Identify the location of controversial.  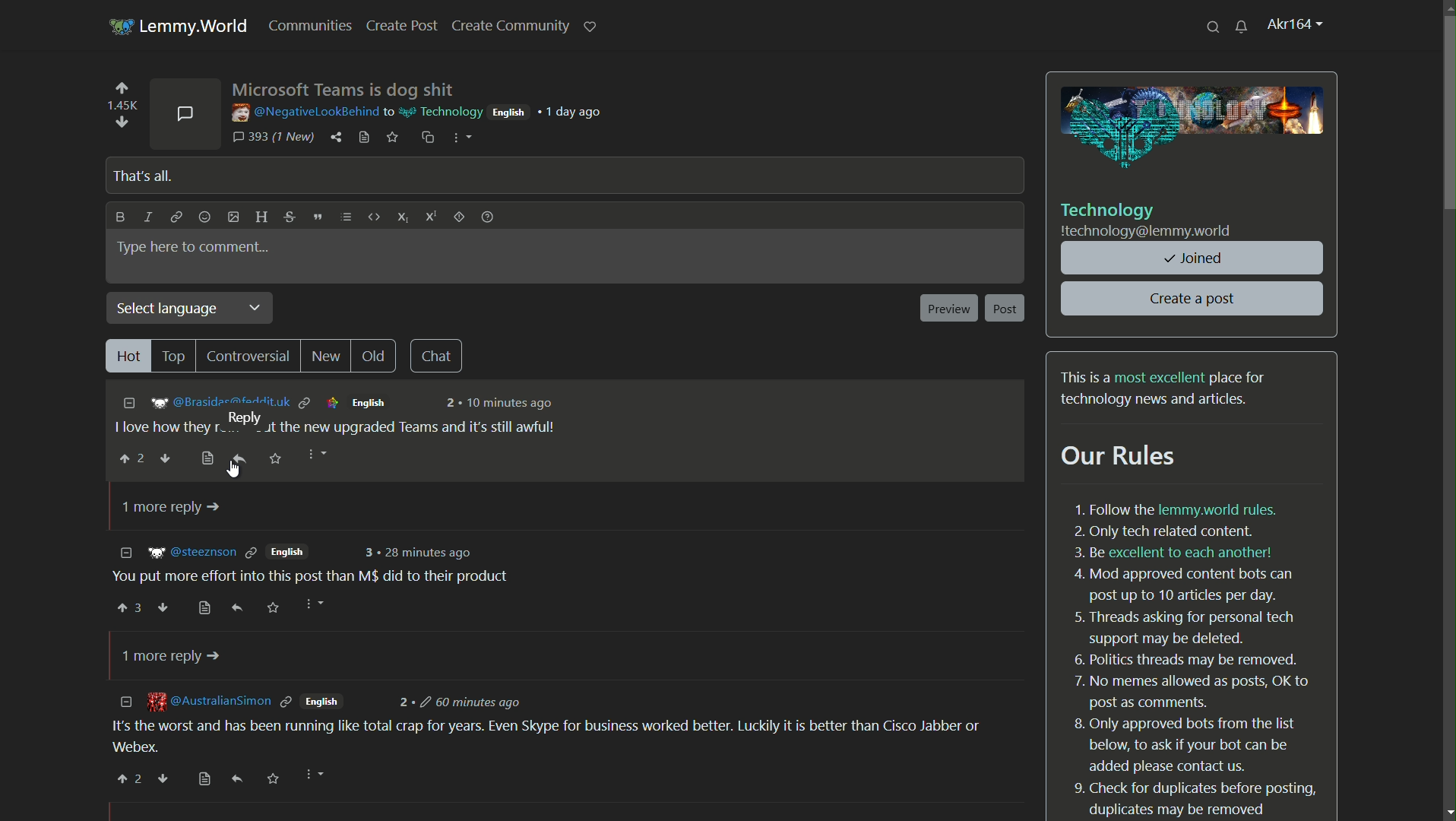
(249, 357).